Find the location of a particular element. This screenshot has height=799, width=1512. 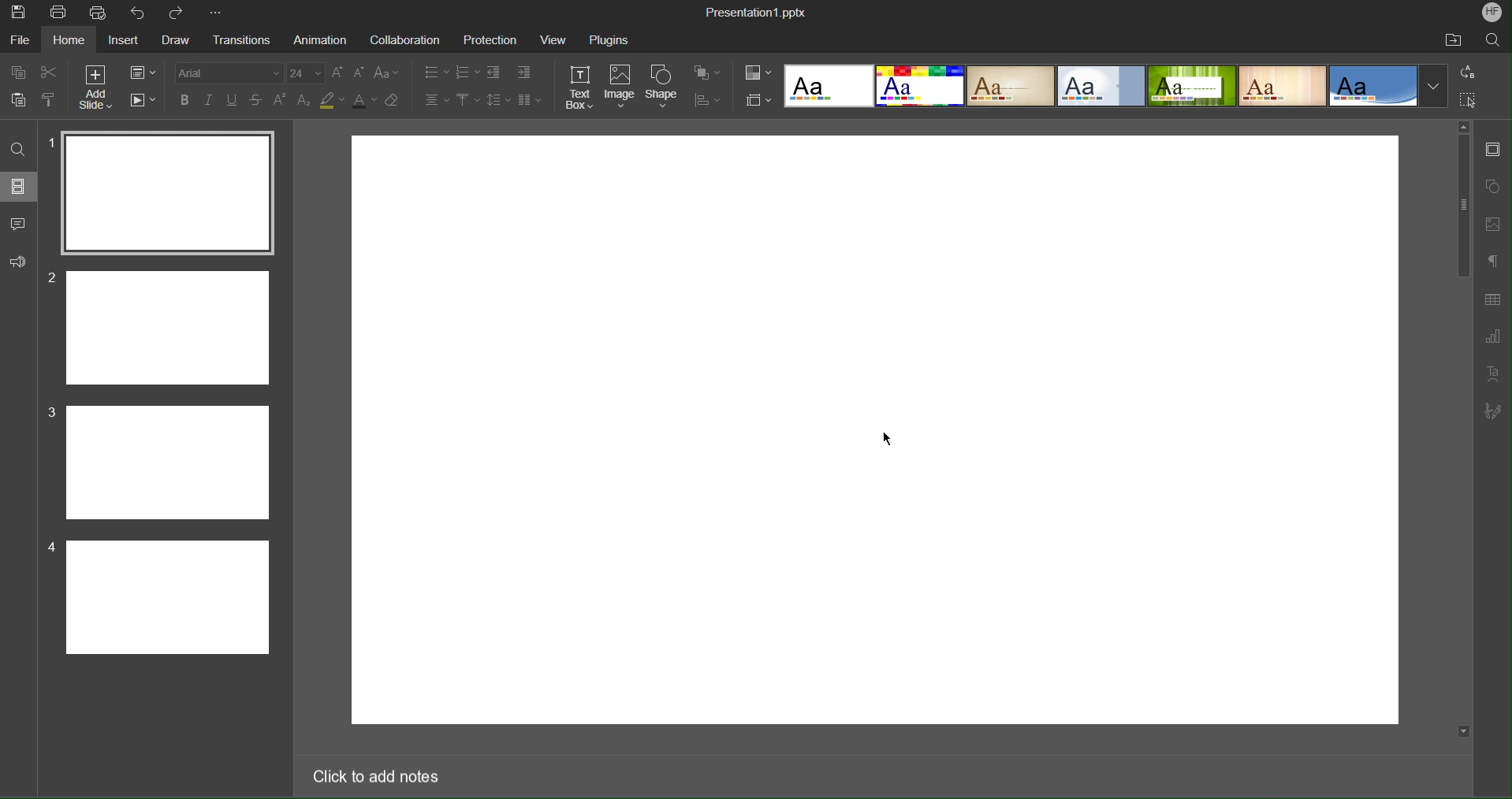

More Options is located at coordinates (215, 13).